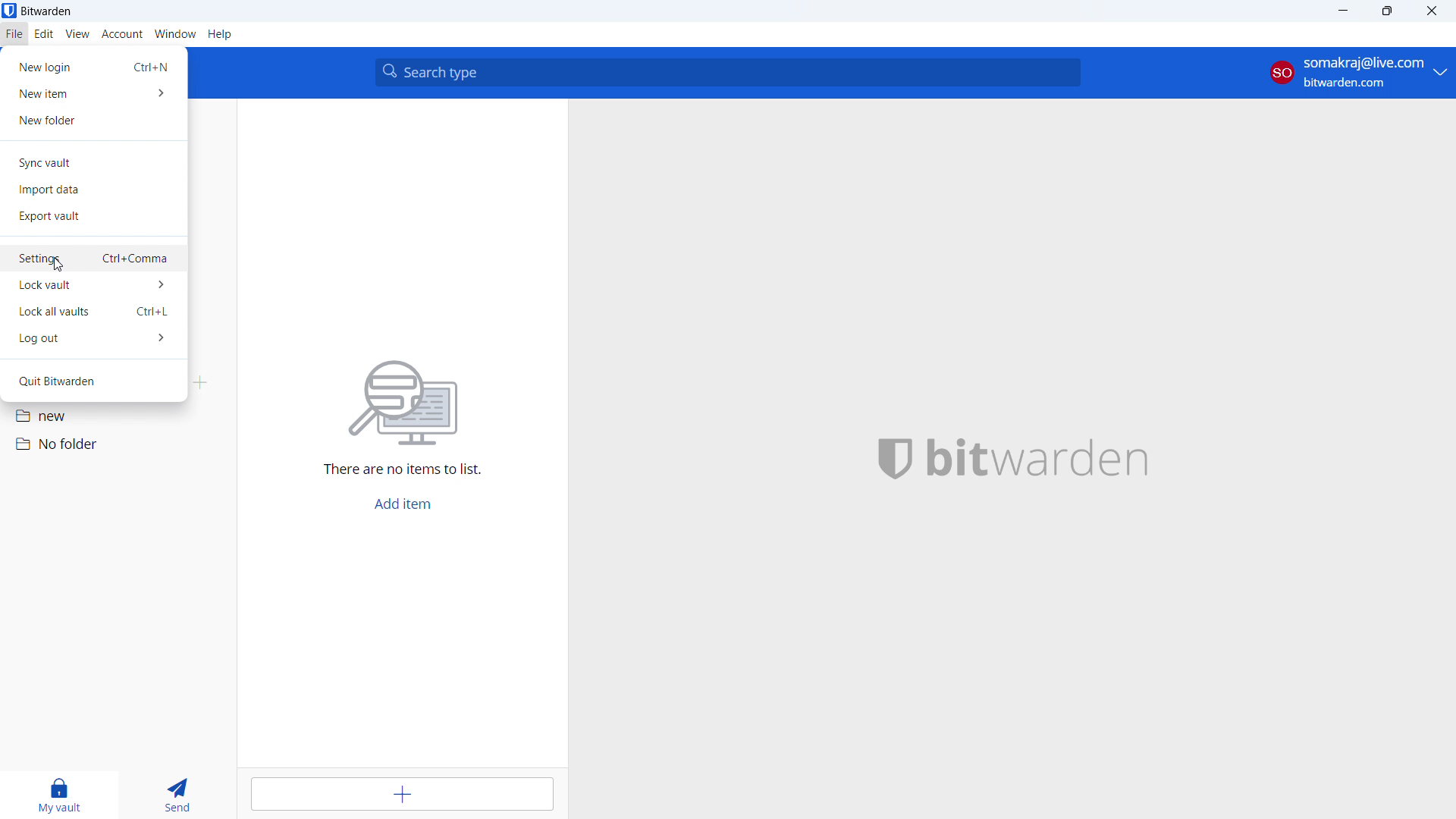  I want to click on edit, so click(45, 34).